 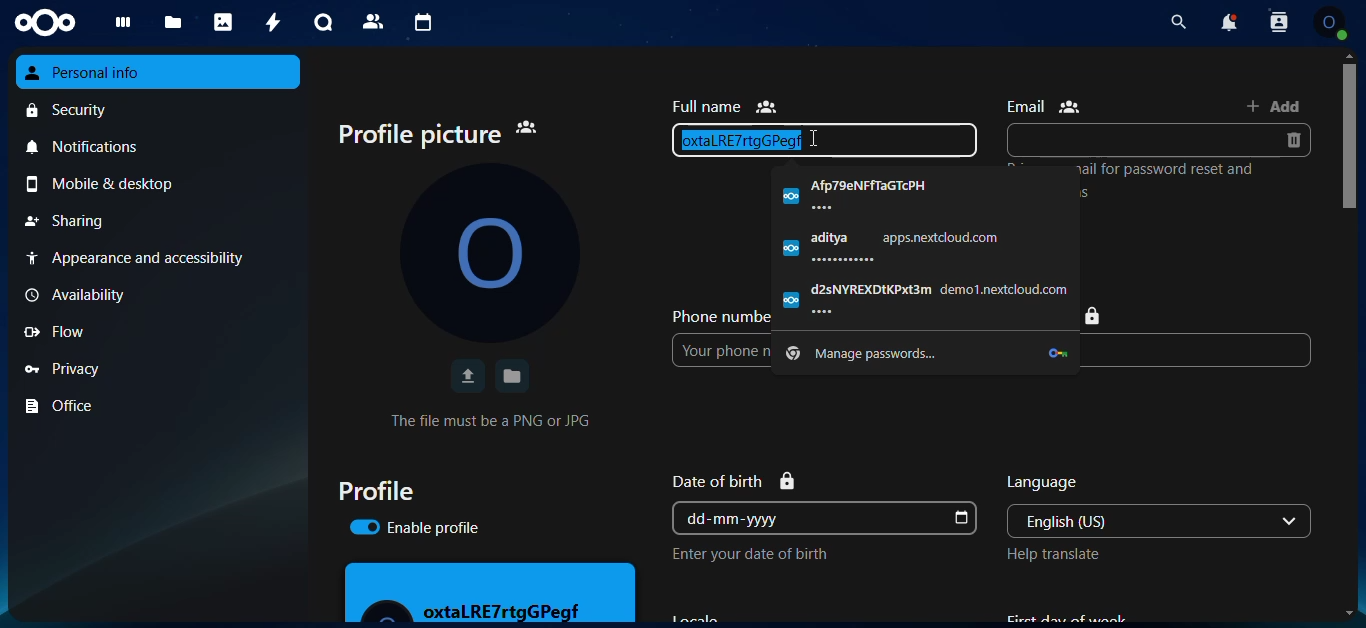 I want to click on aditya  apps.nextcloud.com ............, so click(x=925, y=246).